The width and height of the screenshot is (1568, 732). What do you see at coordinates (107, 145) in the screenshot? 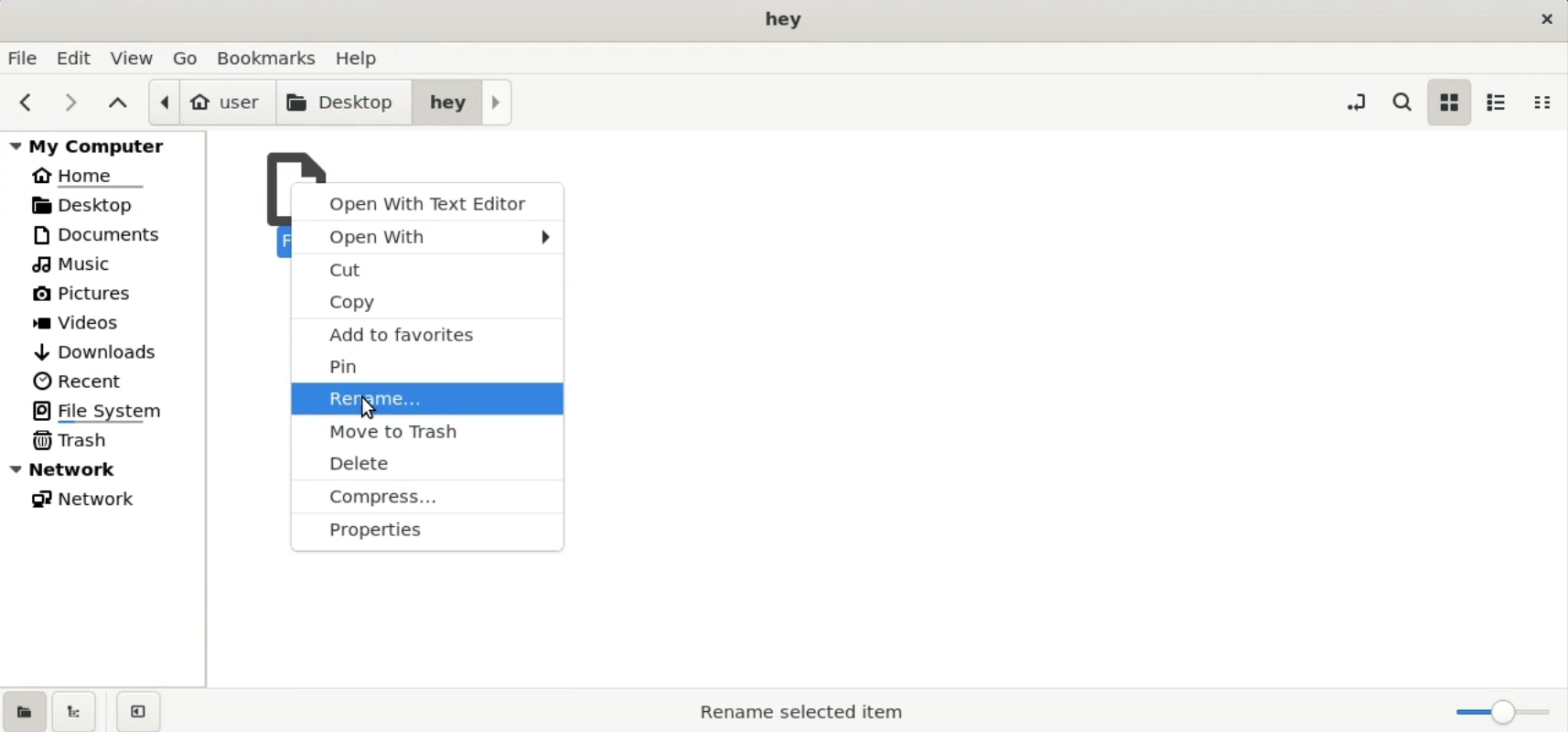
I see `my computer` at bounding box center [107, 145].